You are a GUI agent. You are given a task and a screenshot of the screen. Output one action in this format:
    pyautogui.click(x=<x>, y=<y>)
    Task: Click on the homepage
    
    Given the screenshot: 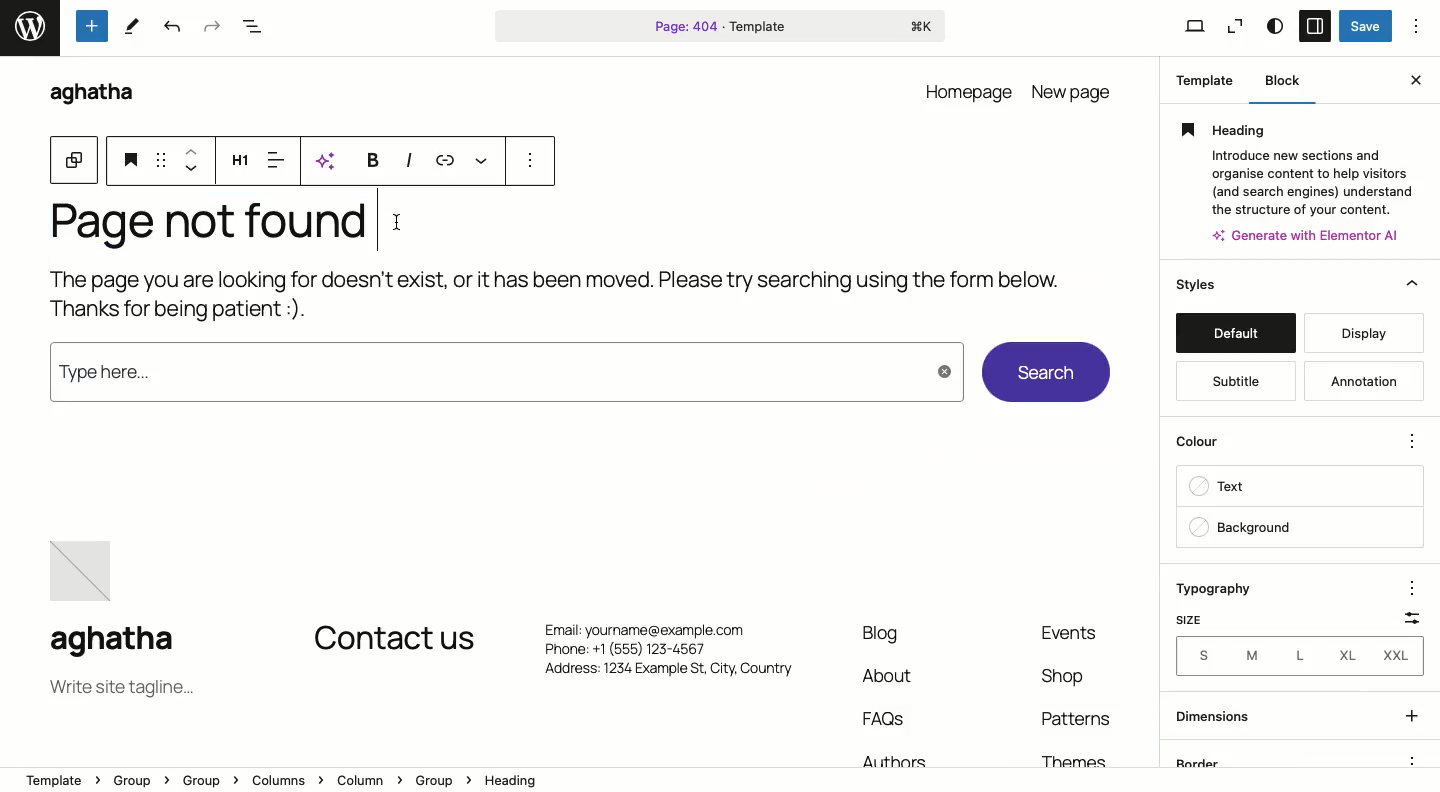 What is the action you would take?
    pyautogui.click(x=970, y=90)
    